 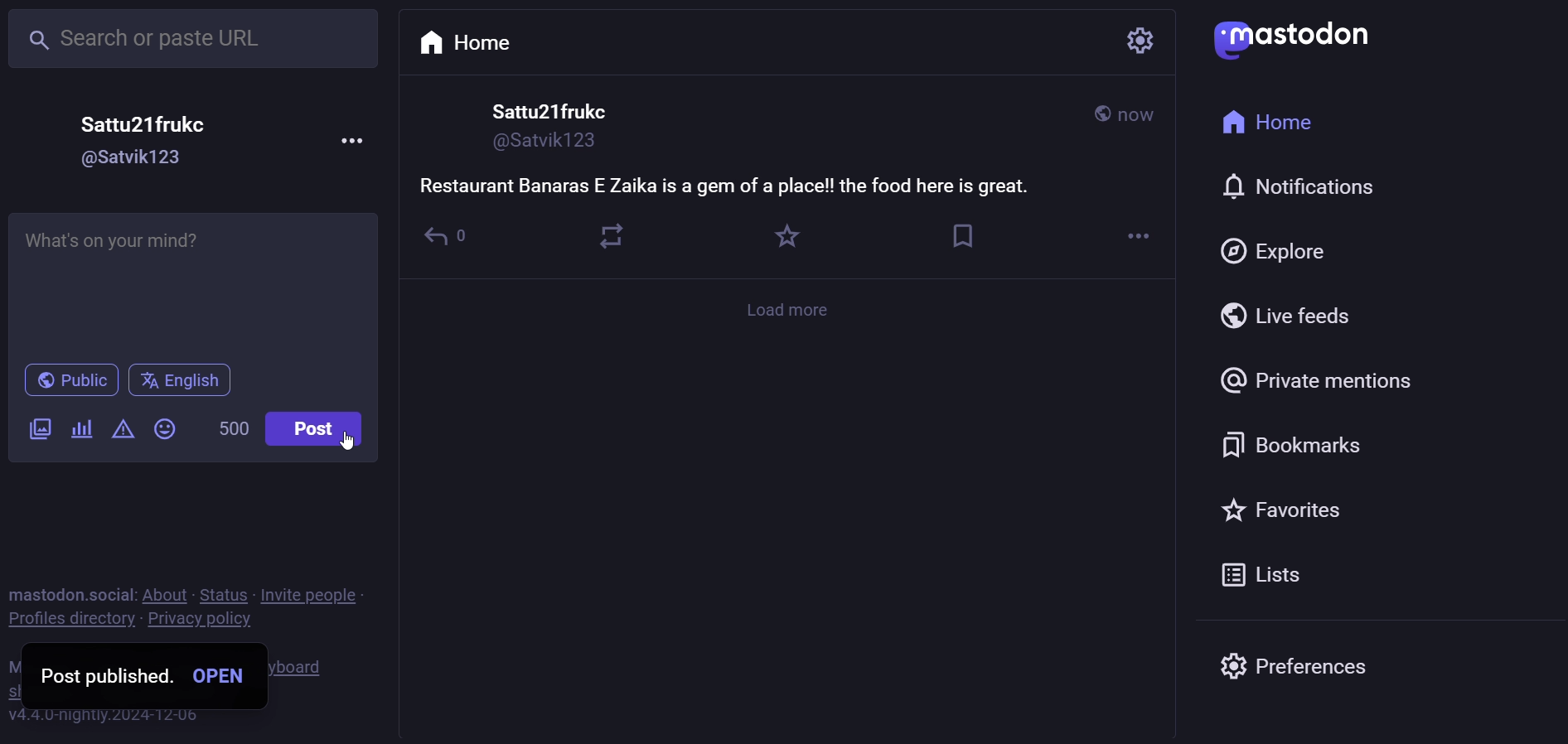 I want to click on poll, so click(x=80, y=430).